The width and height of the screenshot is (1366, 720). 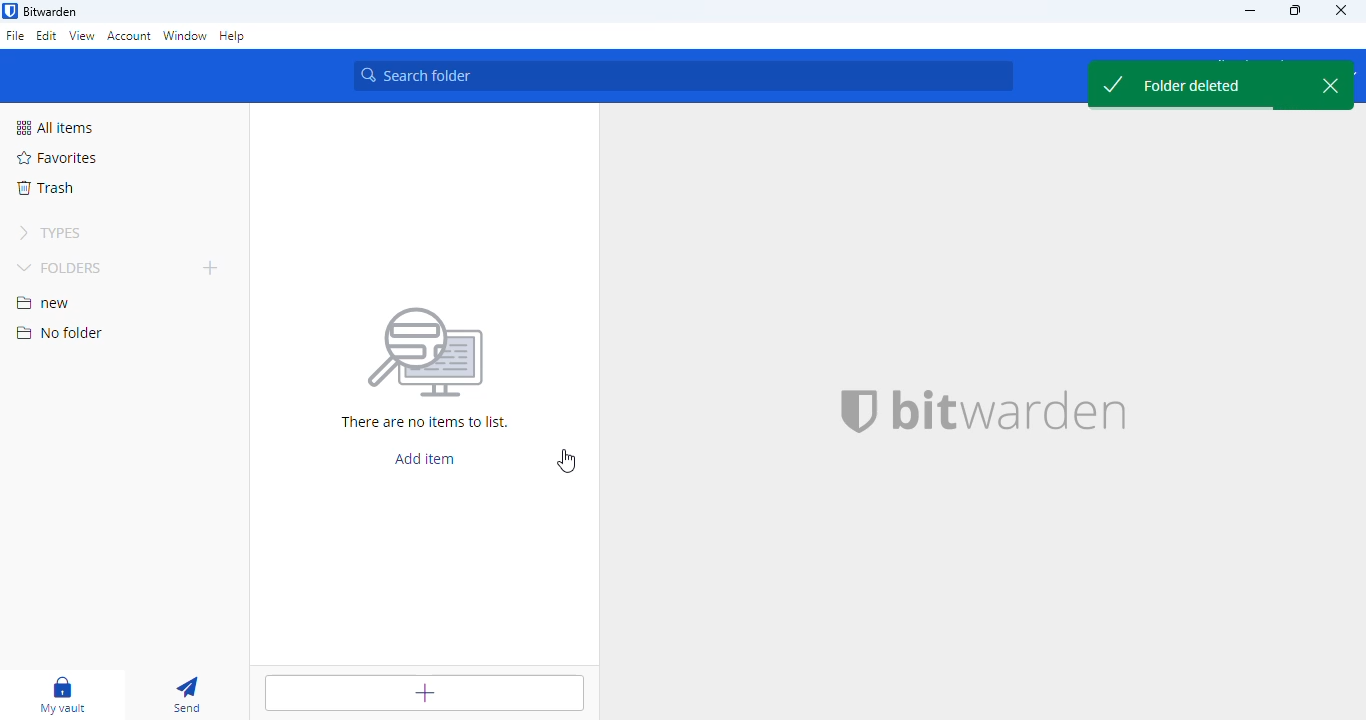 What do you see at coordinates (186, 37) in the screenshot?
I see `window` at bounding box center [186, 37].